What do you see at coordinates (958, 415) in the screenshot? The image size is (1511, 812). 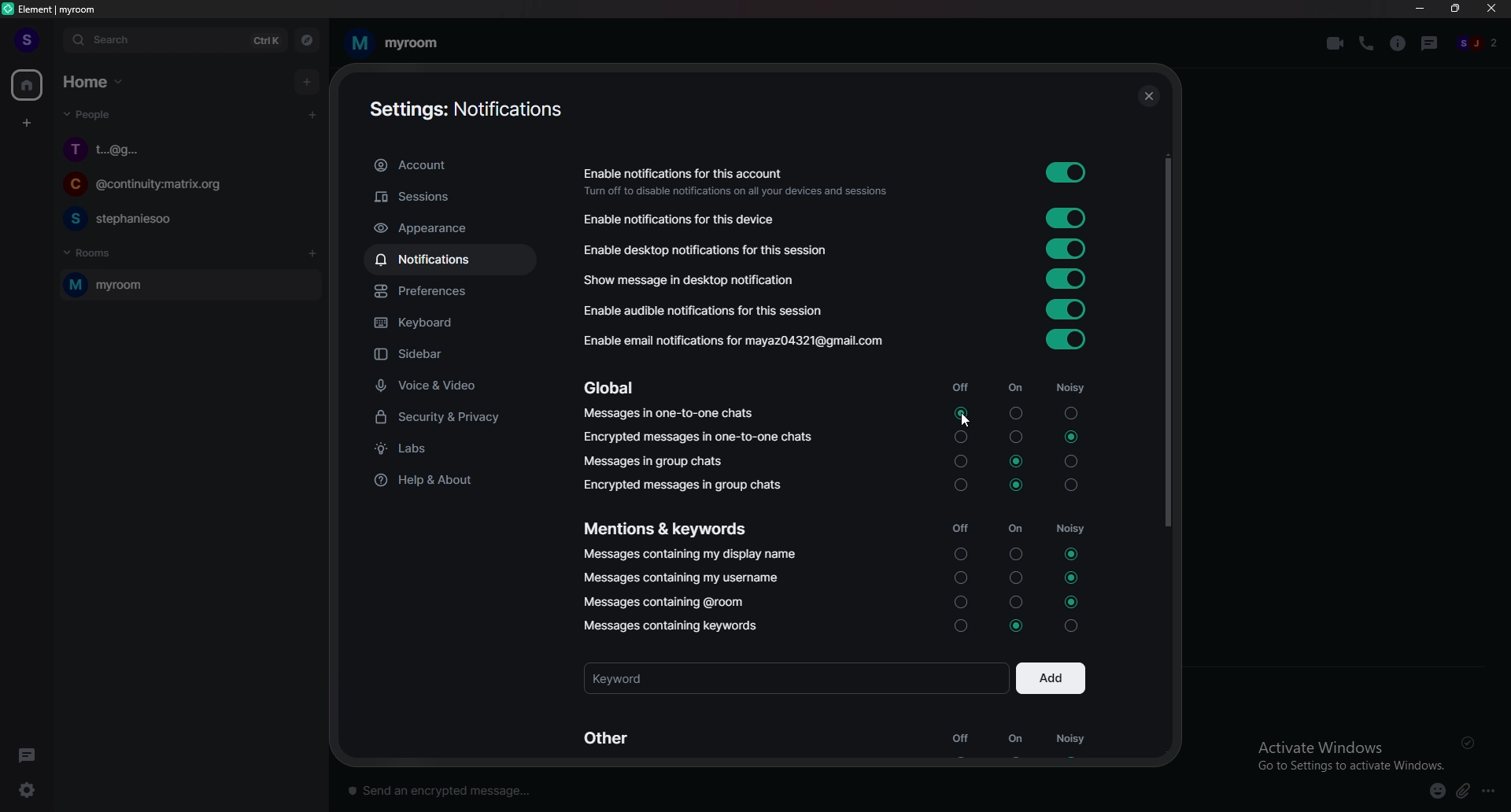 I see `cursor` at bounding box center [958, 415].